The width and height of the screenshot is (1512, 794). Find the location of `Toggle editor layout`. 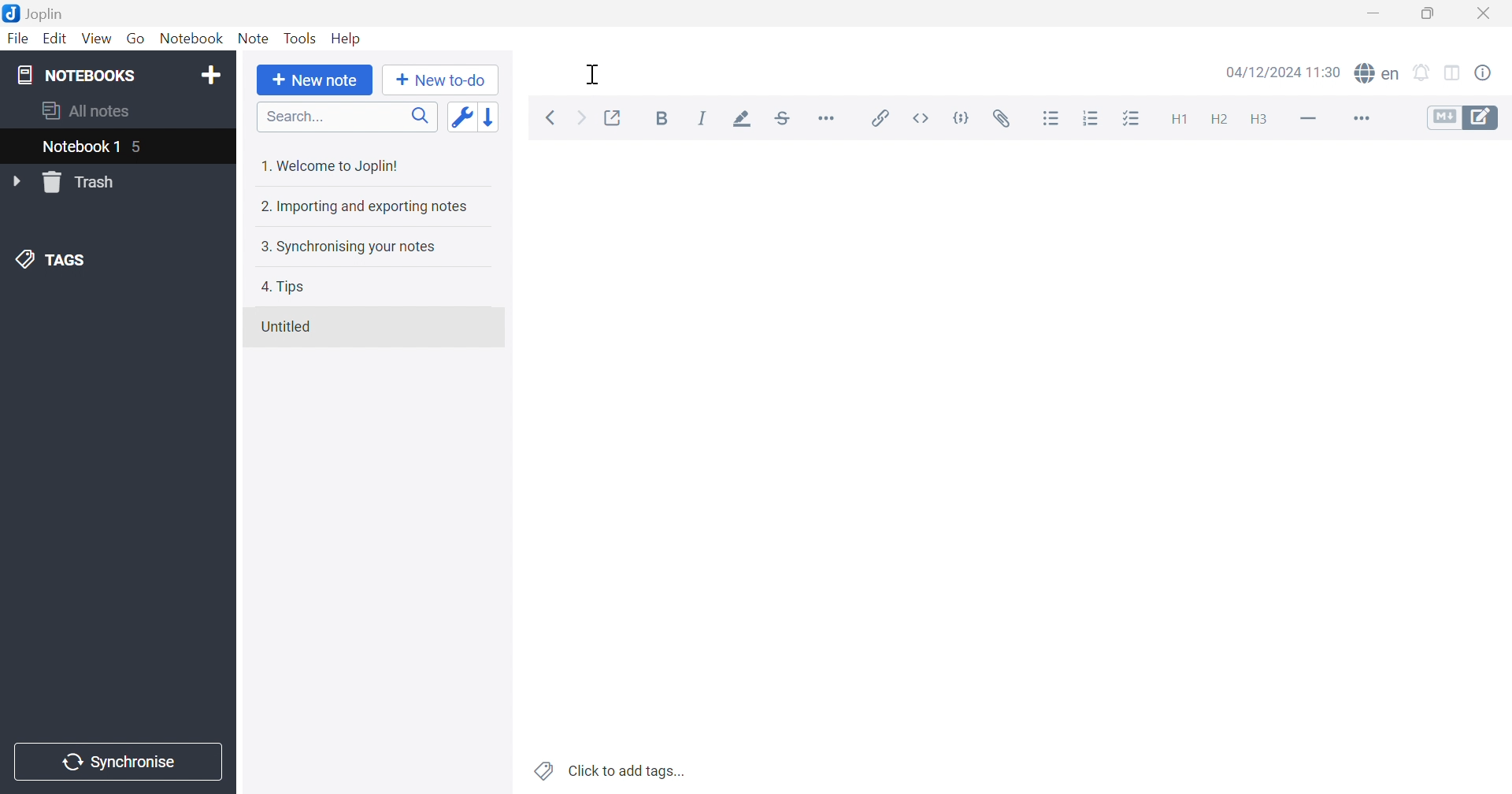

Toggle editor layout is located at coordinates (1454, 74).